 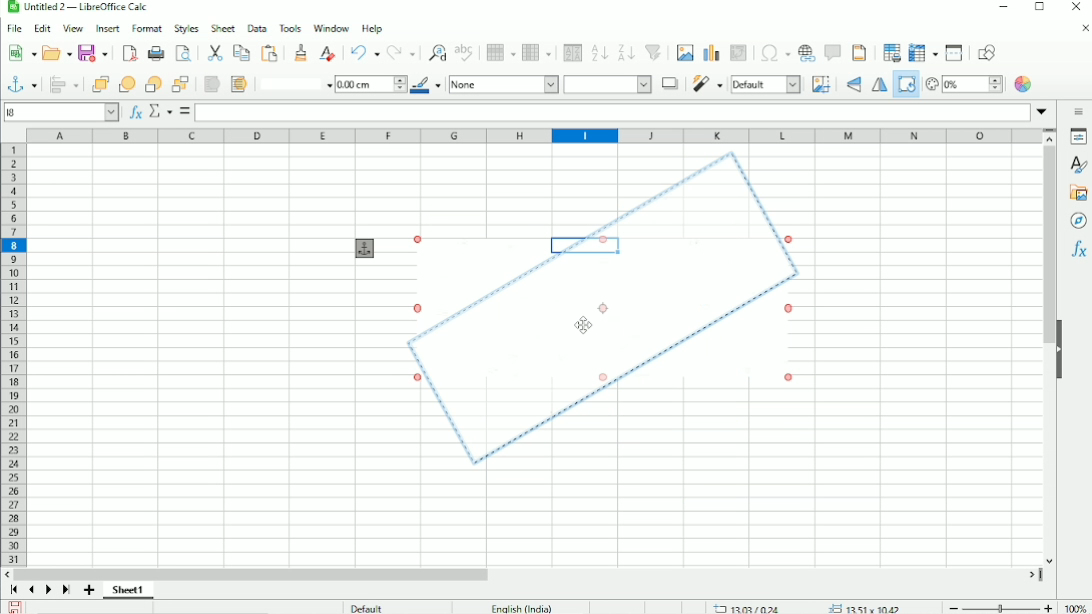 What do you see at coordinates (222, 28) in the screenshot?
I see `Sheet` at bounding box center [222, 28].